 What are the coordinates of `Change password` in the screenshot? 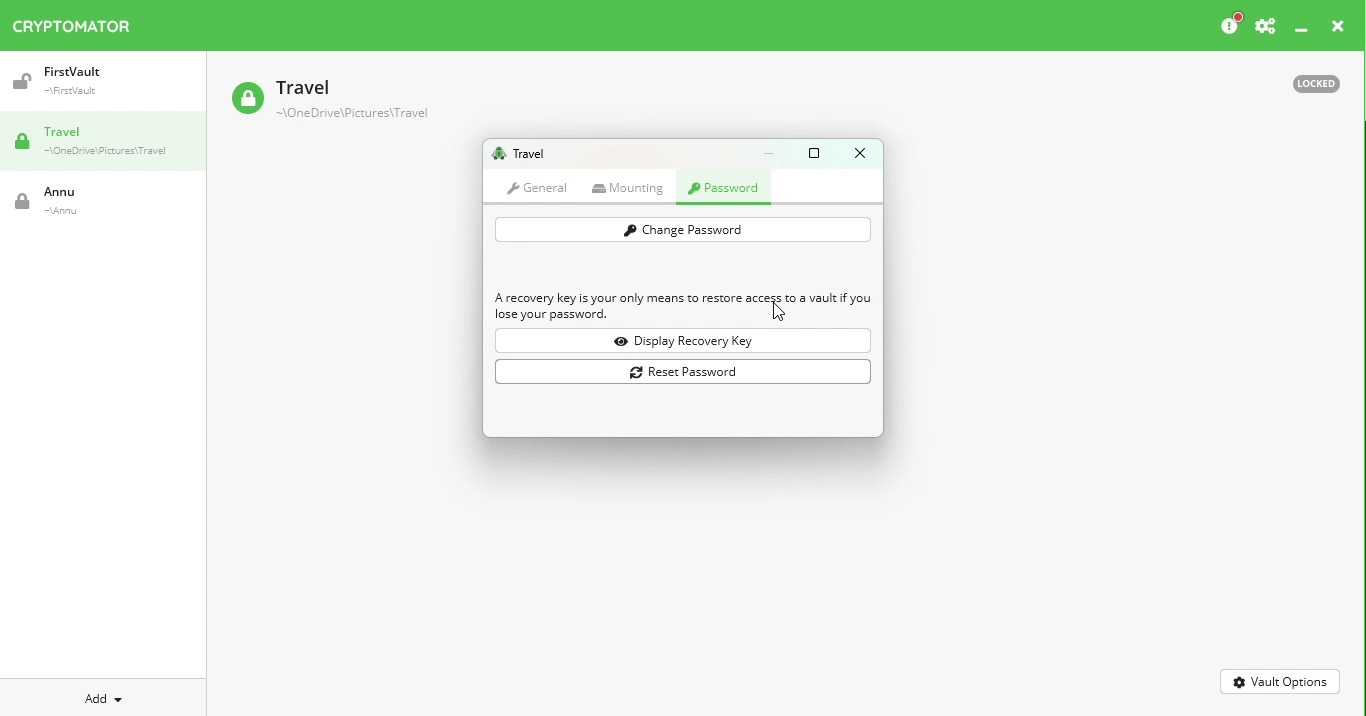 It's located at (682, 230).